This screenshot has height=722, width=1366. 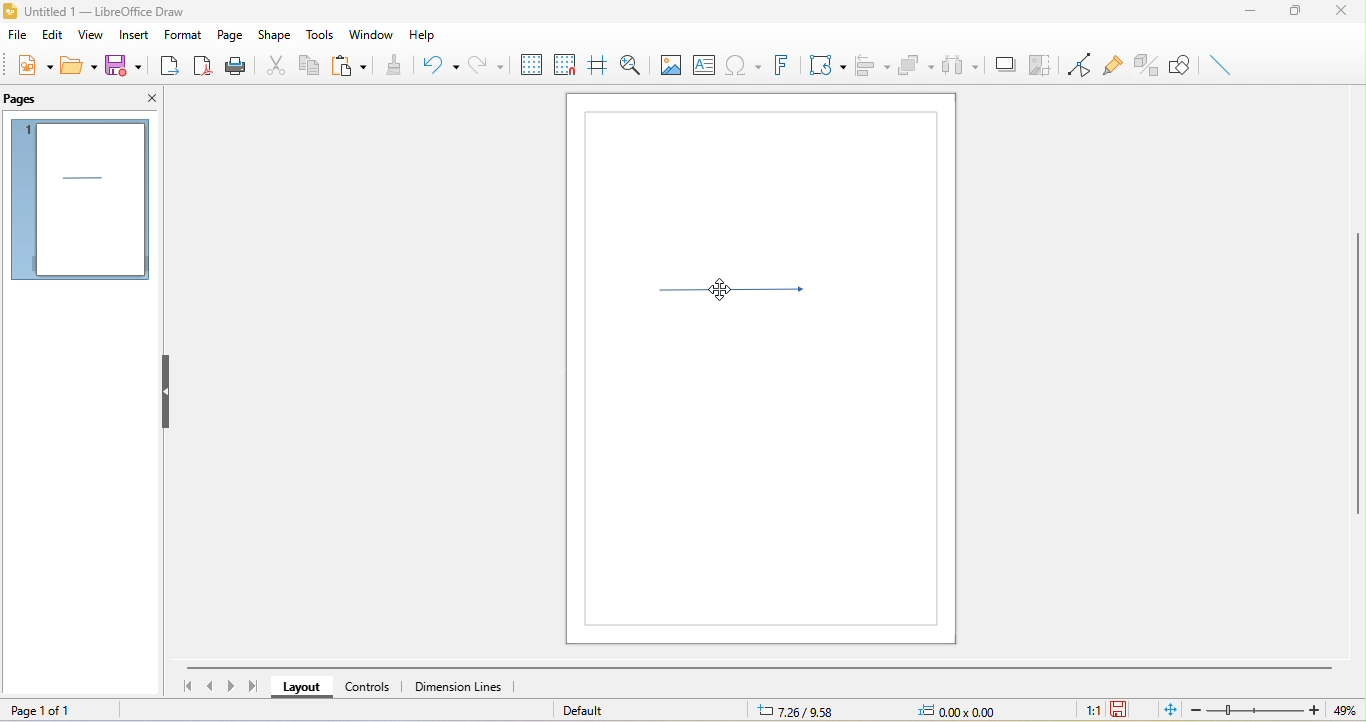 I want to click on font work text, so click(x=780, y=65).